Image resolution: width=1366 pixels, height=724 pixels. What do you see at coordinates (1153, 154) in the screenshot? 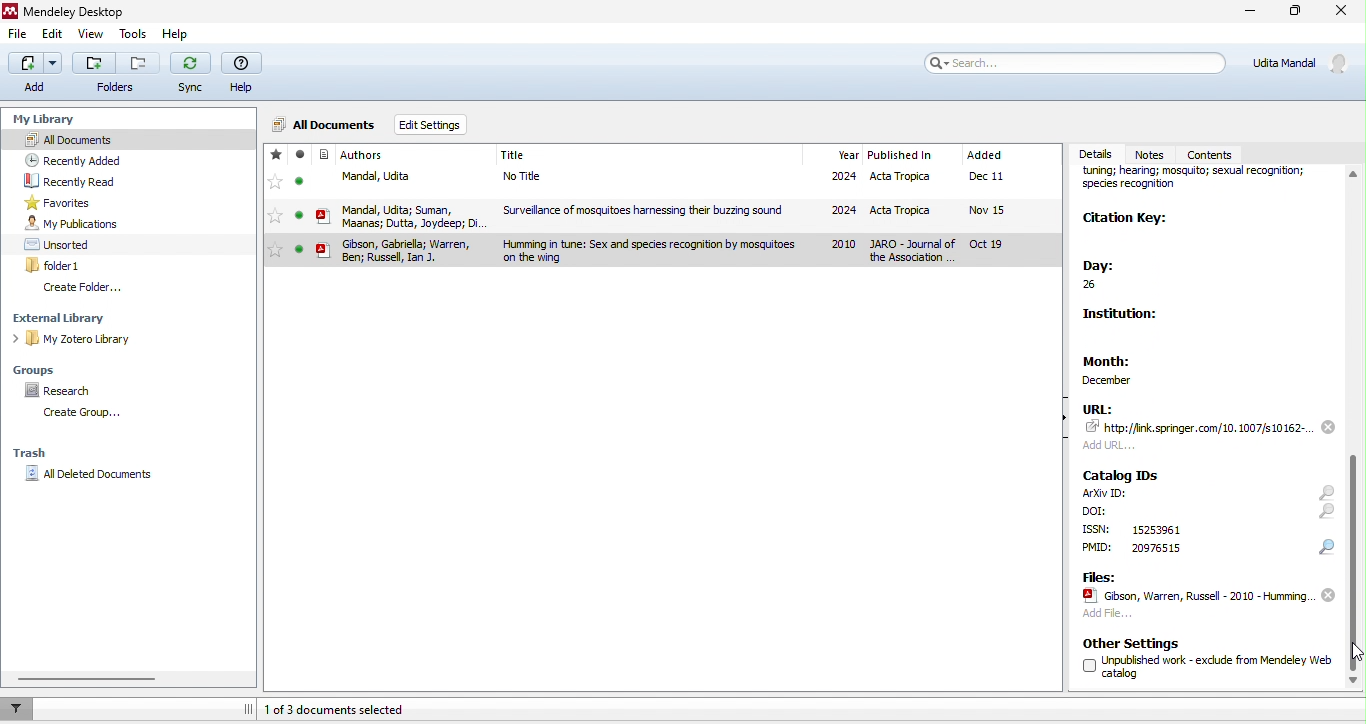
I see `notes` at bounding box center [1153, 154].